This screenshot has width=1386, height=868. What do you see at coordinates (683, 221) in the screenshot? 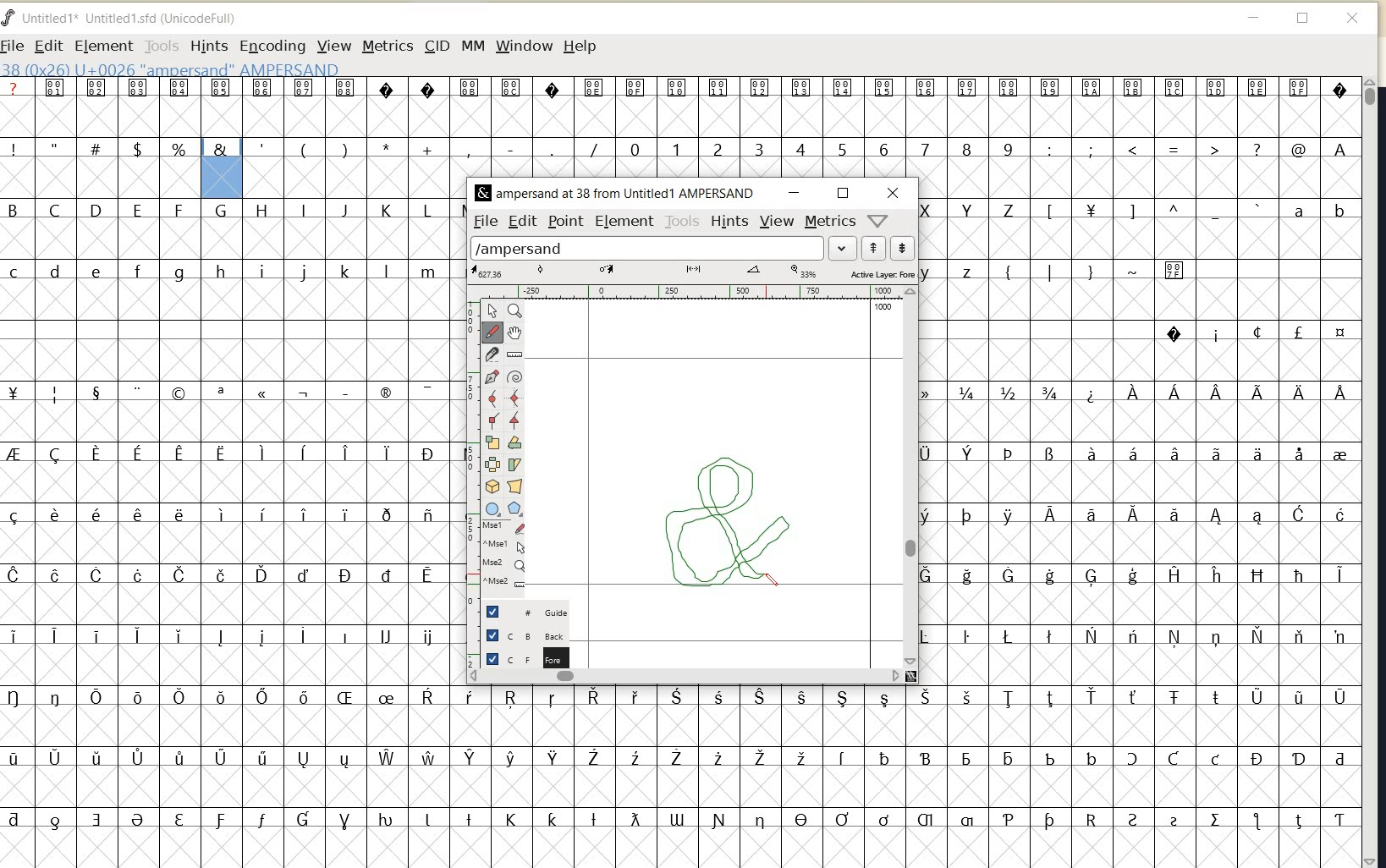
I see `TOOLS` at bounding box center [683, 221].